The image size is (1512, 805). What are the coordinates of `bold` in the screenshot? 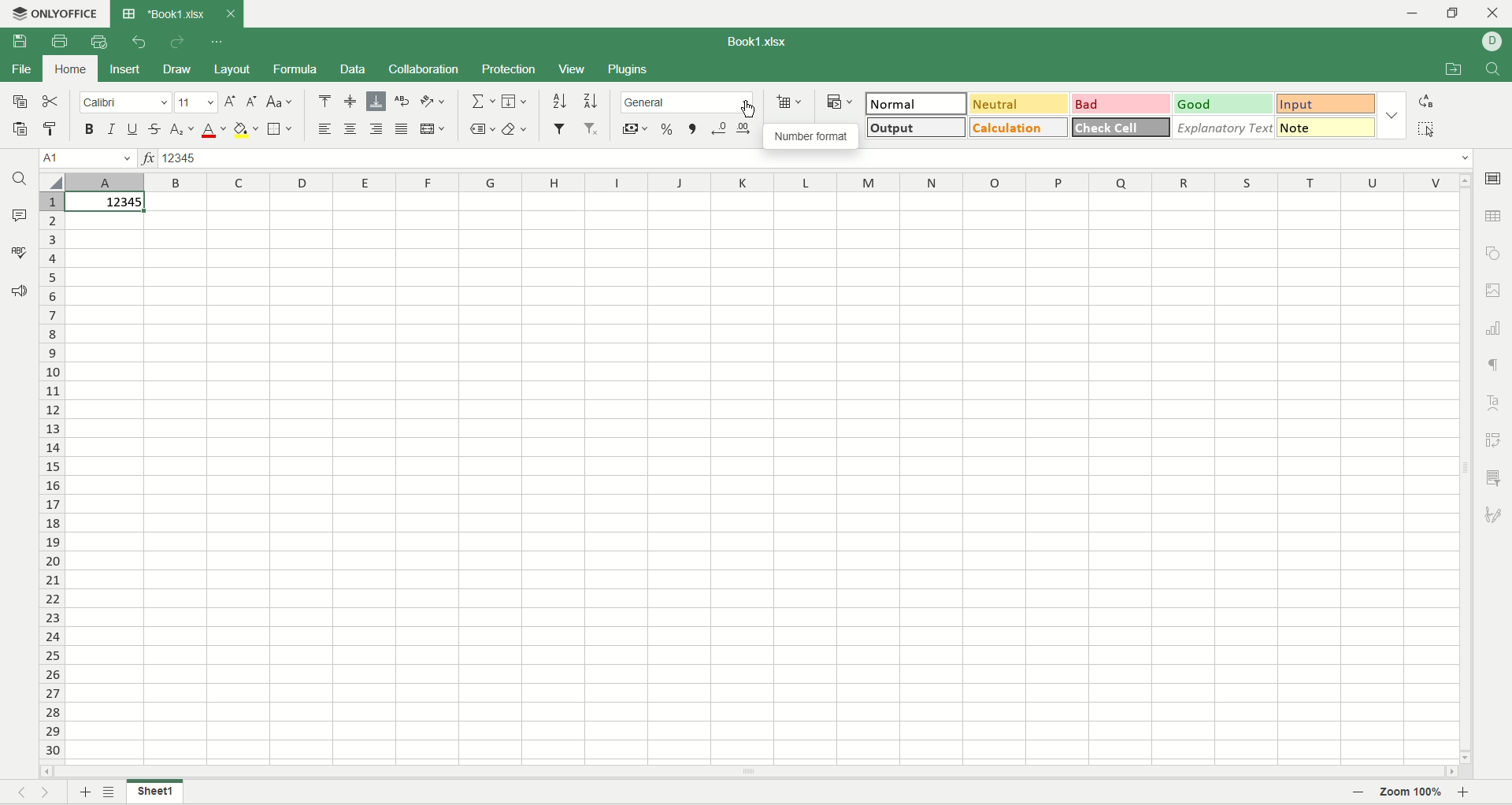 It's located at (91, 130).